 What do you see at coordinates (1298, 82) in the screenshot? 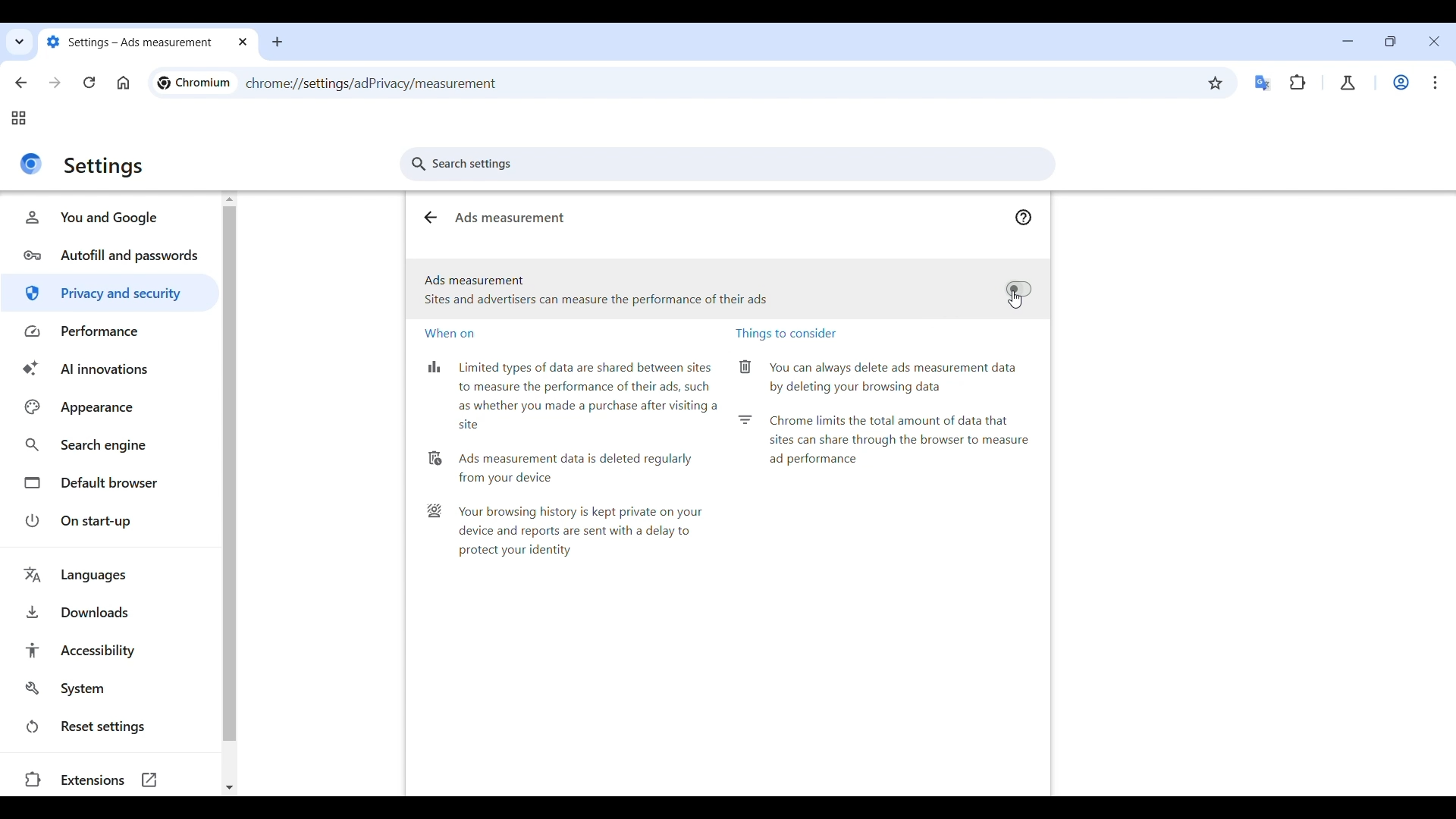
I see `Extensions` at bounding box center [1298, 82].